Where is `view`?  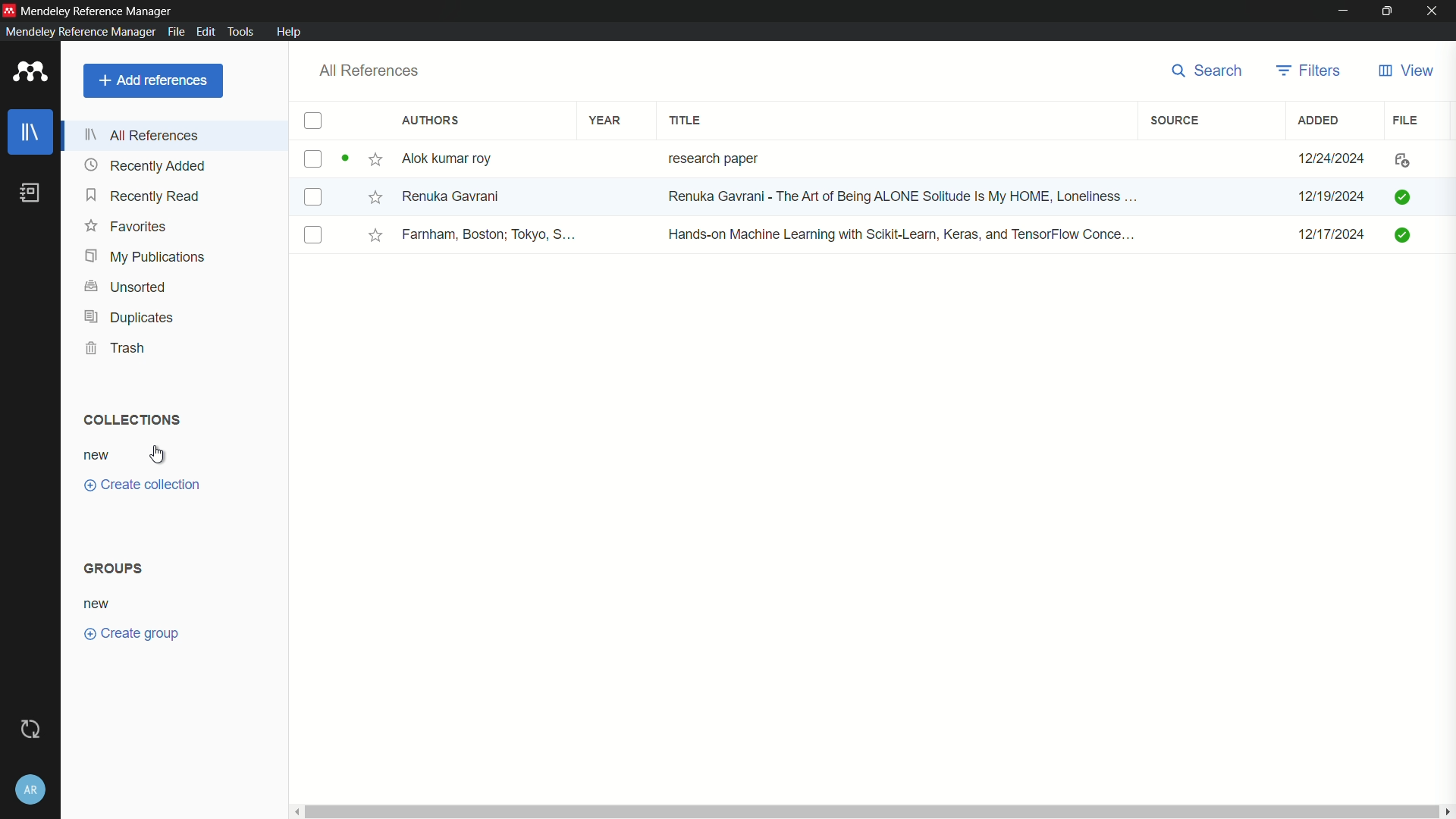 view is located at coordinates (1407, 71).